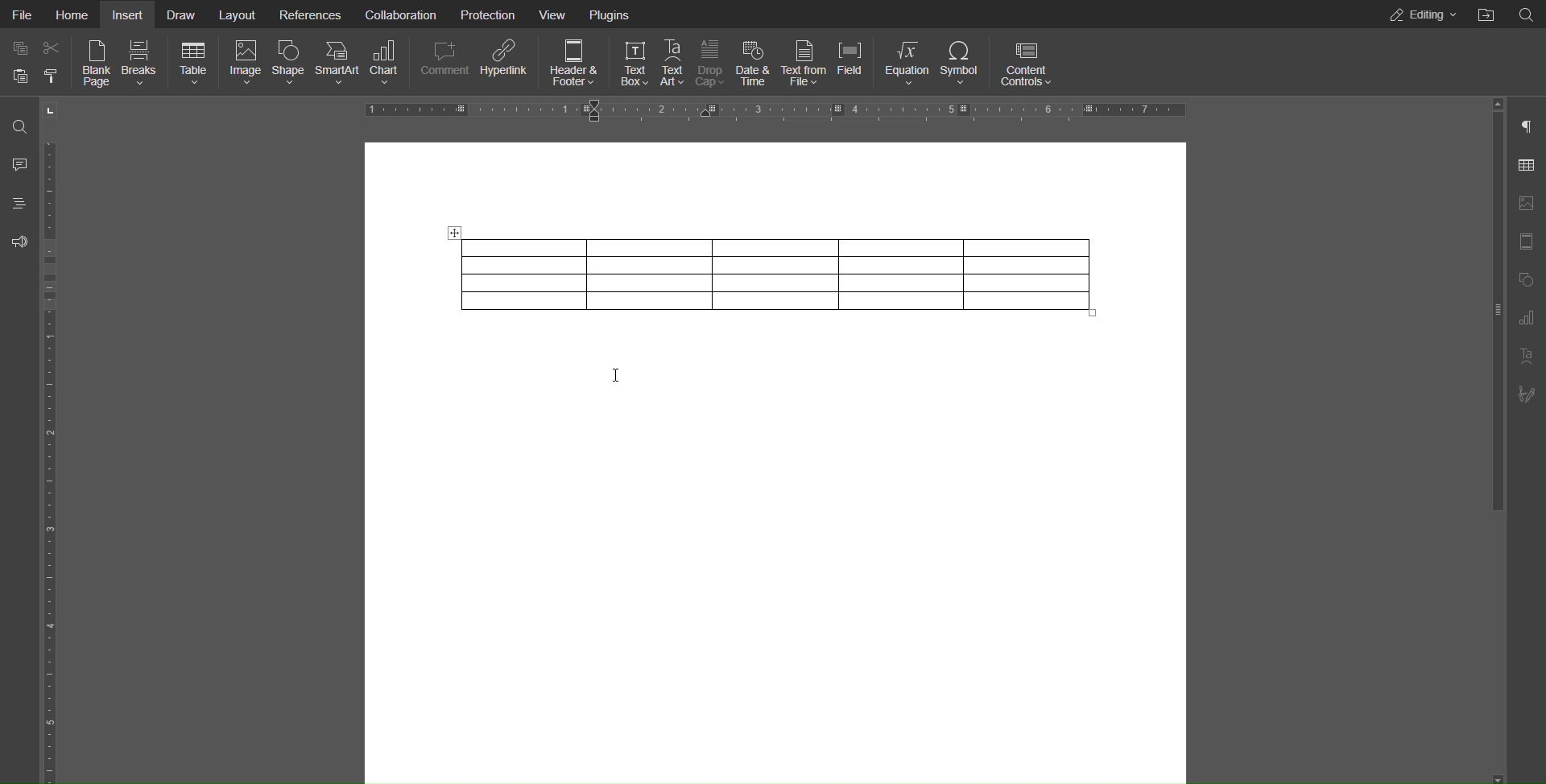 The image size is (1546, 784). What do you see at coordinates (1527, 282) in the screenshot?
I see `Shape Settings` at bounding box center [1527, 282].